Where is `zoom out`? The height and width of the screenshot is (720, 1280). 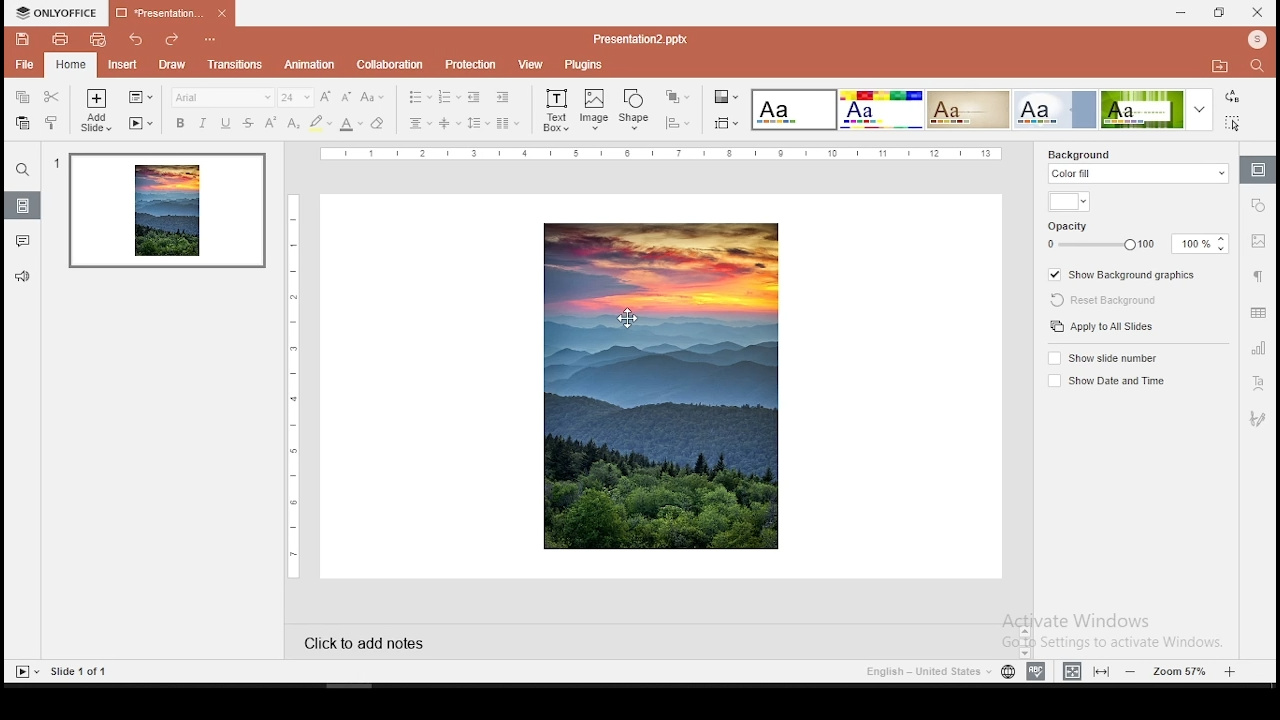
zoom out is located at coordinates (1132, 670).